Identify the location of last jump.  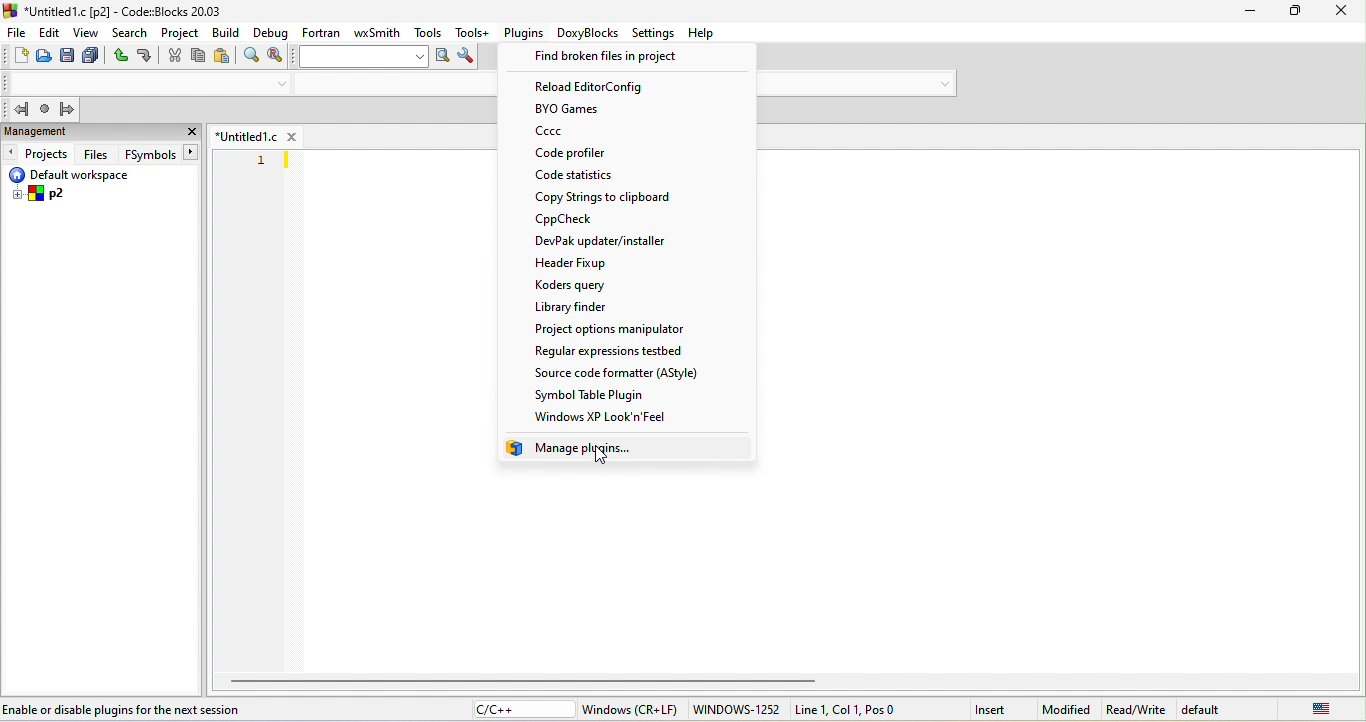
(45, 110).